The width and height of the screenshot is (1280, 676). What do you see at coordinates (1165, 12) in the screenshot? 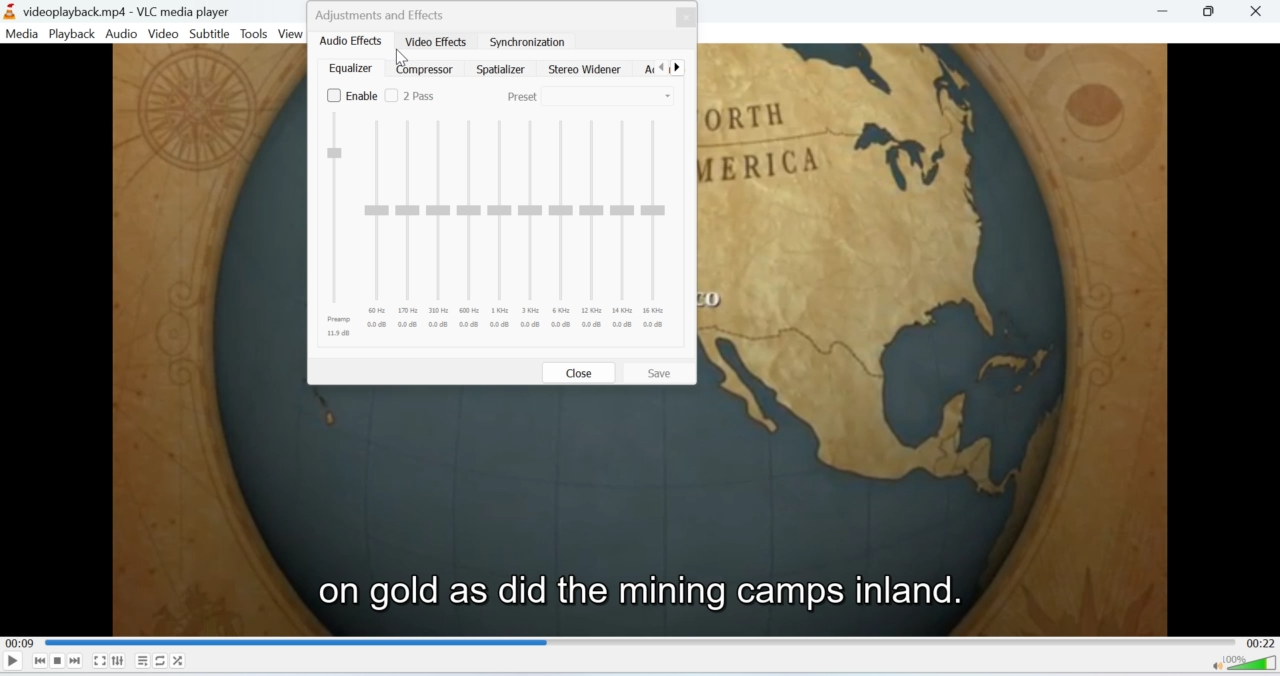
I see `minimise` at bounding box center [1165, 12].